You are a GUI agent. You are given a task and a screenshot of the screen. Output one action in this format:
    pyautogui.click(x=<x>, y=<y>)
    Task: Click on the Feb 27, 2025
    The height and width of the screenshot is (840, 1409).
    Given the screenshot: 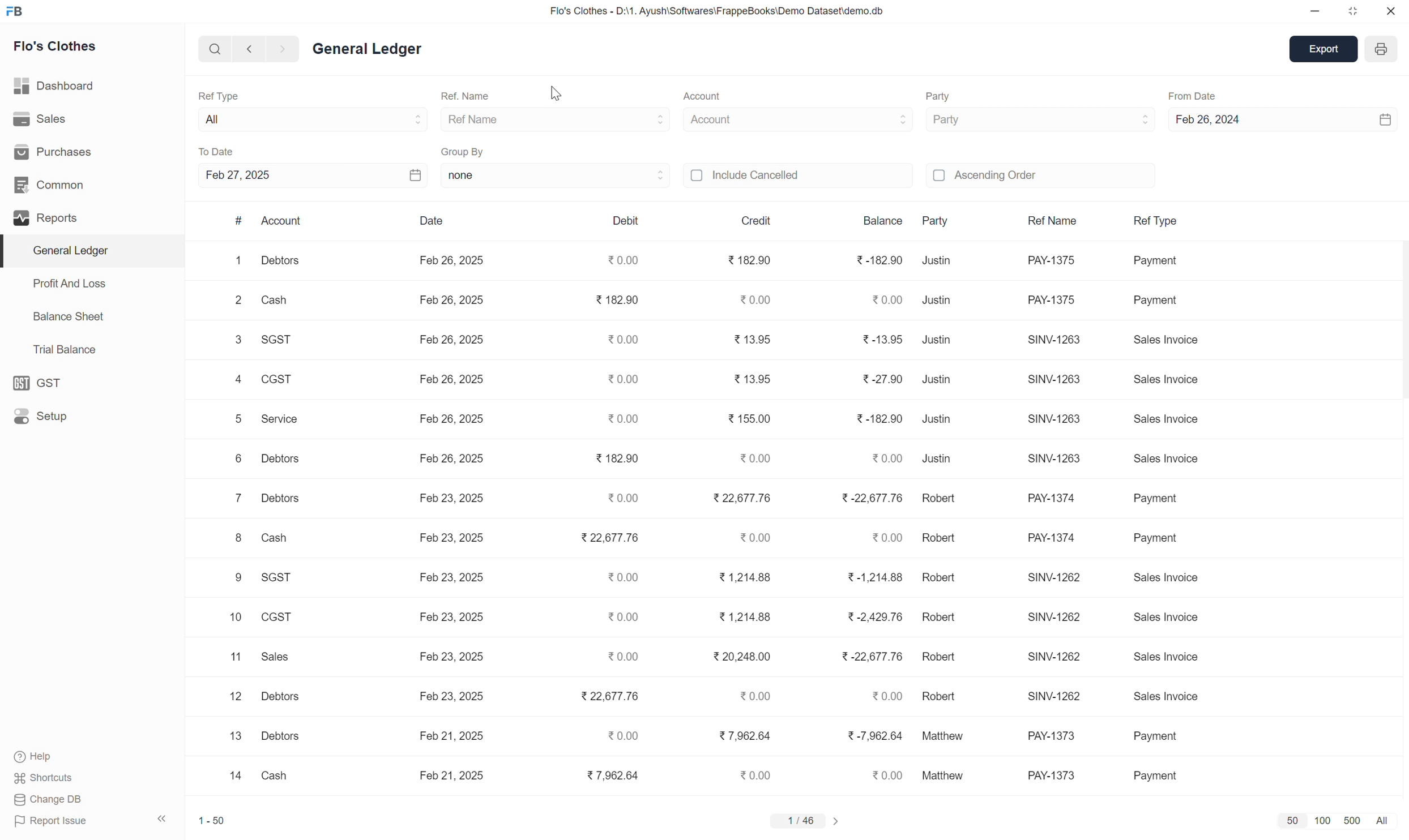 What is the action you would take?
    pyautogui.click(x=317, y=175)
    